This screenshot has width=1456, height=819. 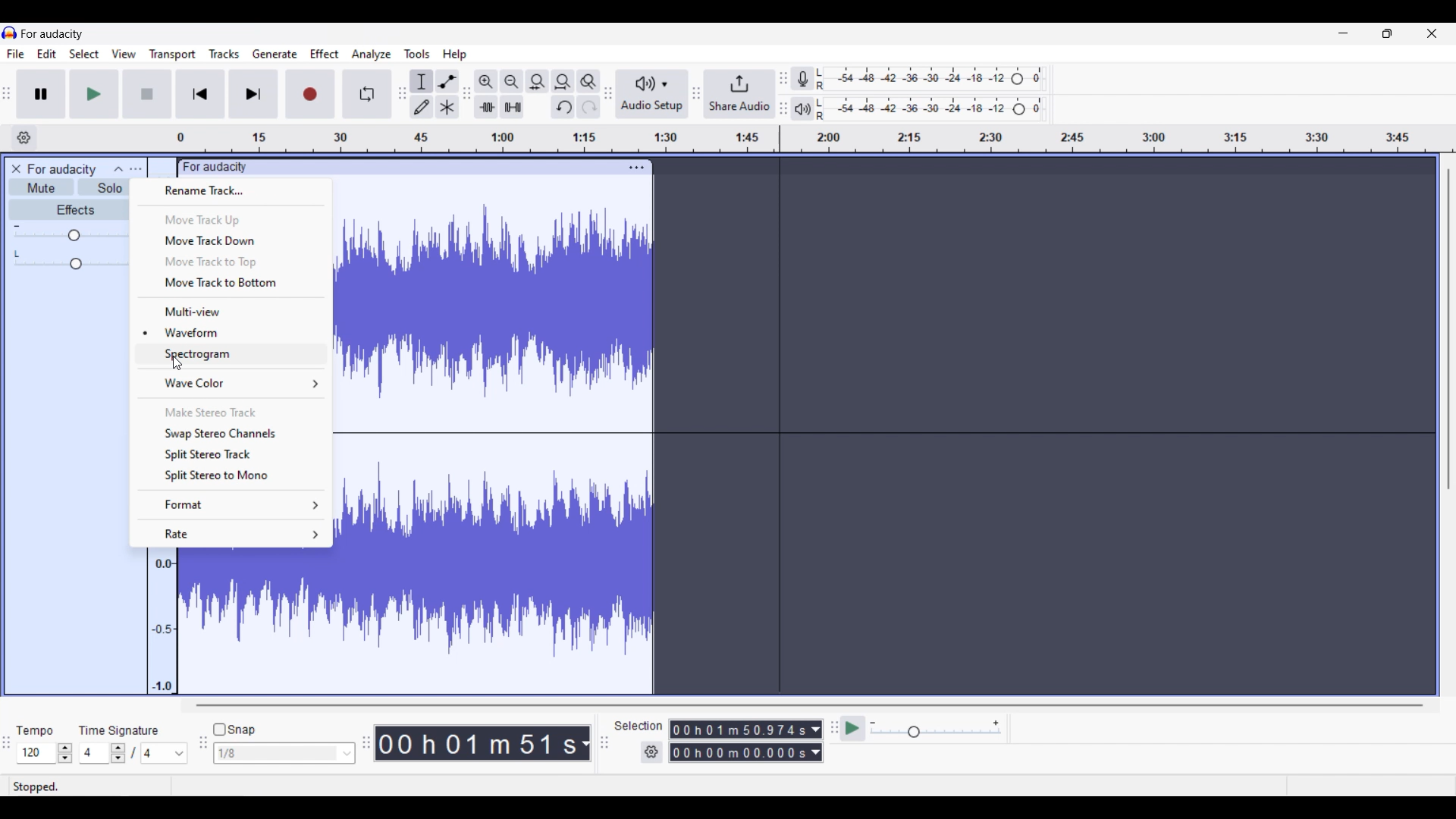 What do you see at coordinates (232, 475) in the screenshot?
I see `Split stereo to mono` at bounding box center [232, 475].